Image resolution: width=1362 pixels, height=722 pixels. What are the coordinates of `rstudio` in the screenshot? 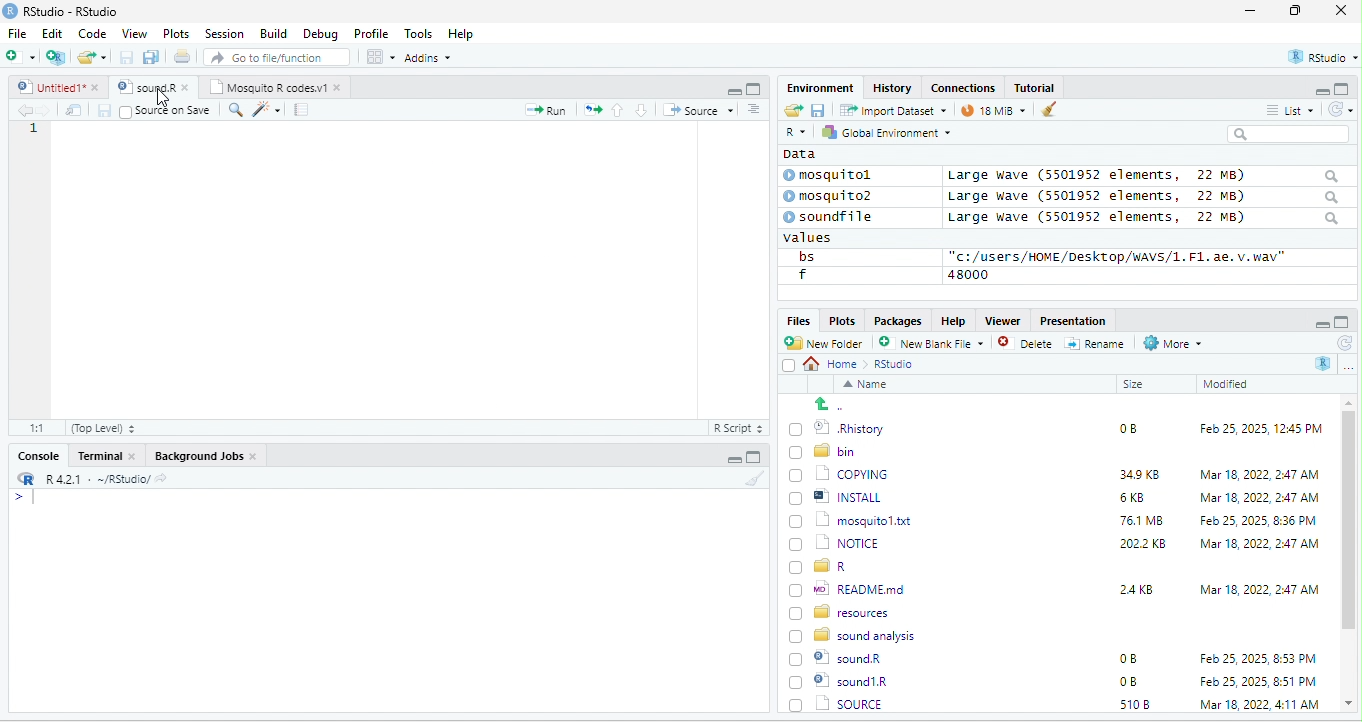 It's located at (1319, 58).